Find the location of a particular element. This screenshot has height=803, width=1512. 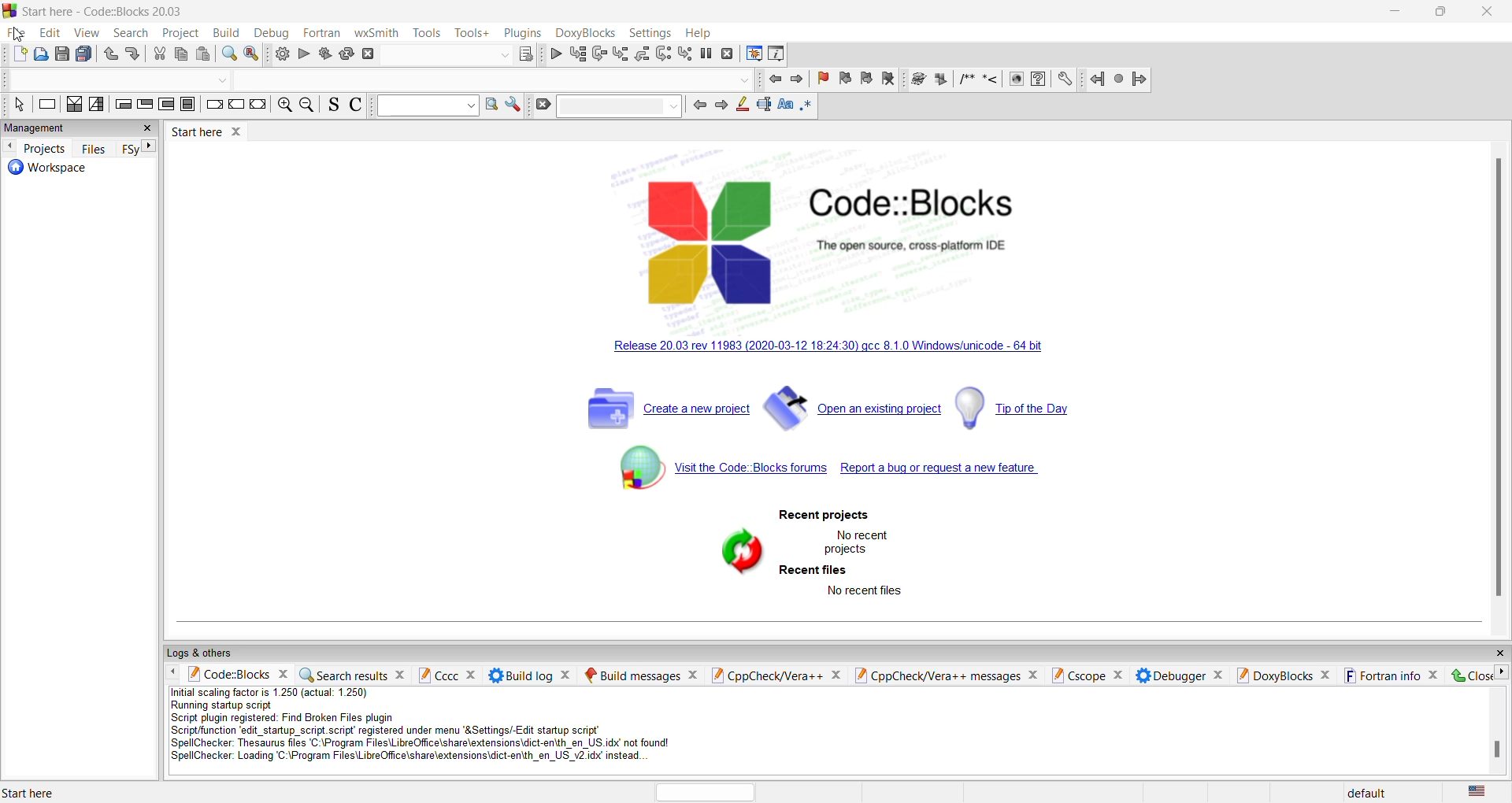

dropdown button with textbox is located at coordinates (427, 106).